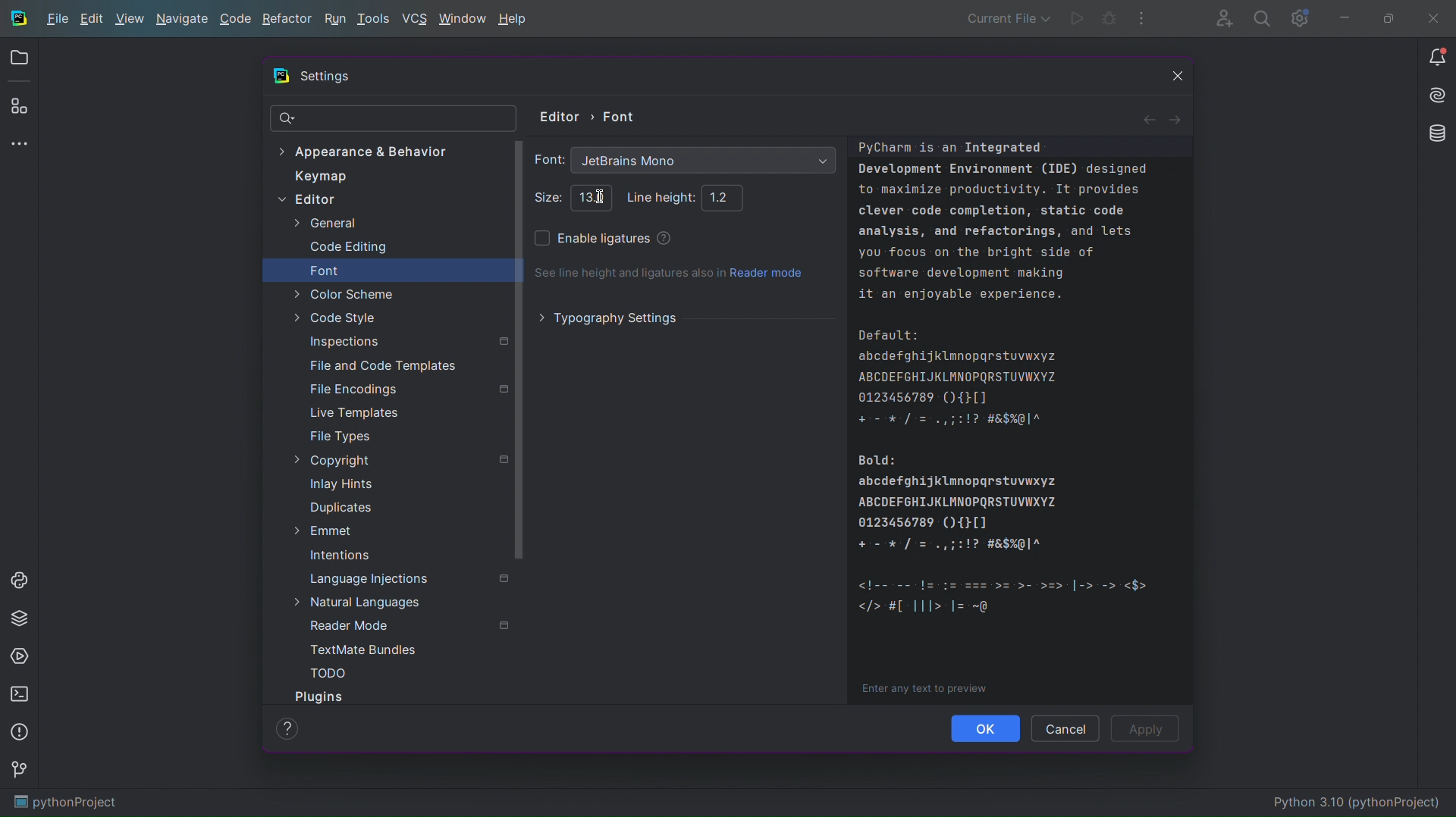  I want to click on Version Control, so click(22, 773).